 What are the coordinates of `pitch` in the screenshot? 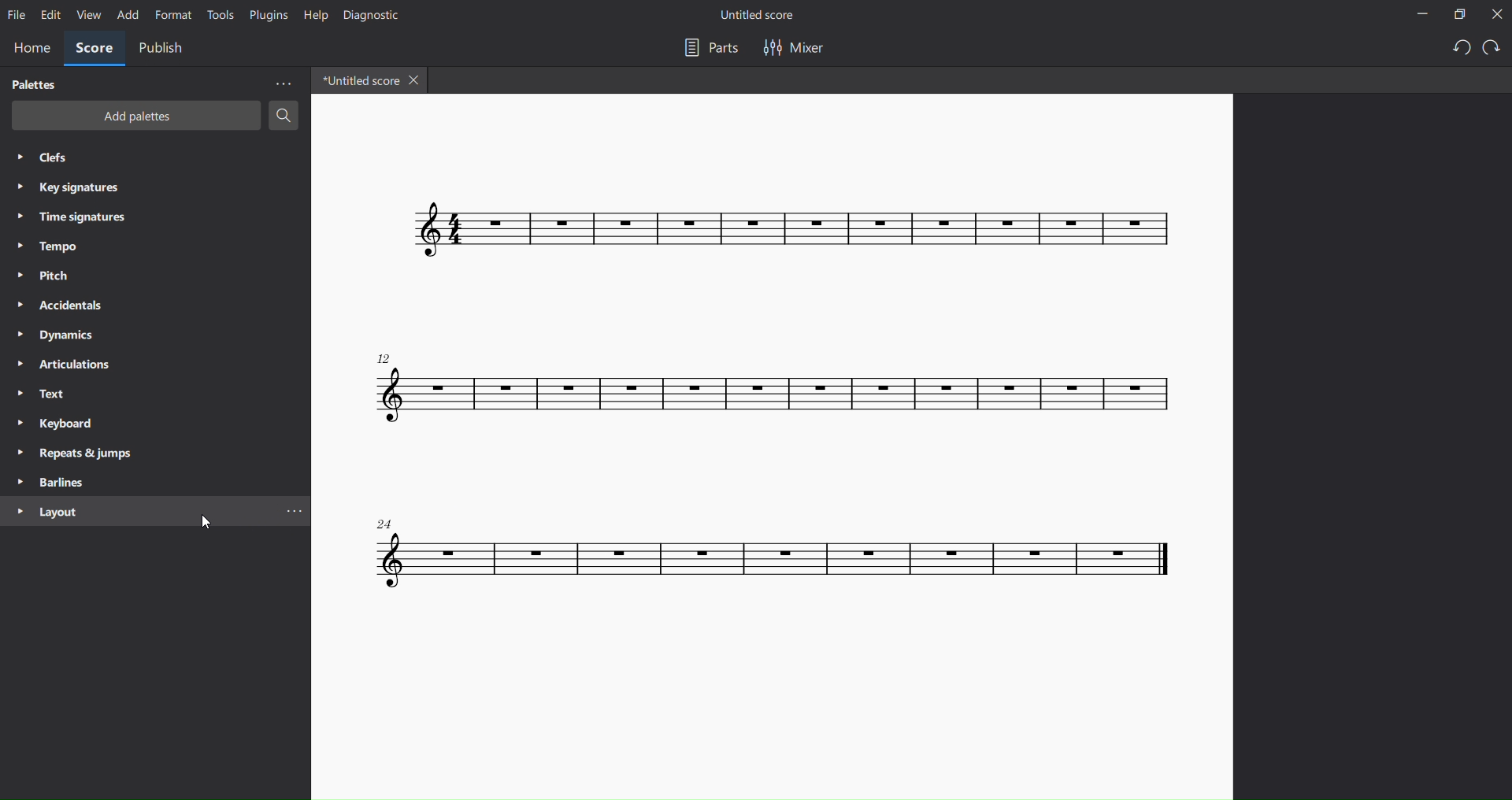 It's located at (50, 276).